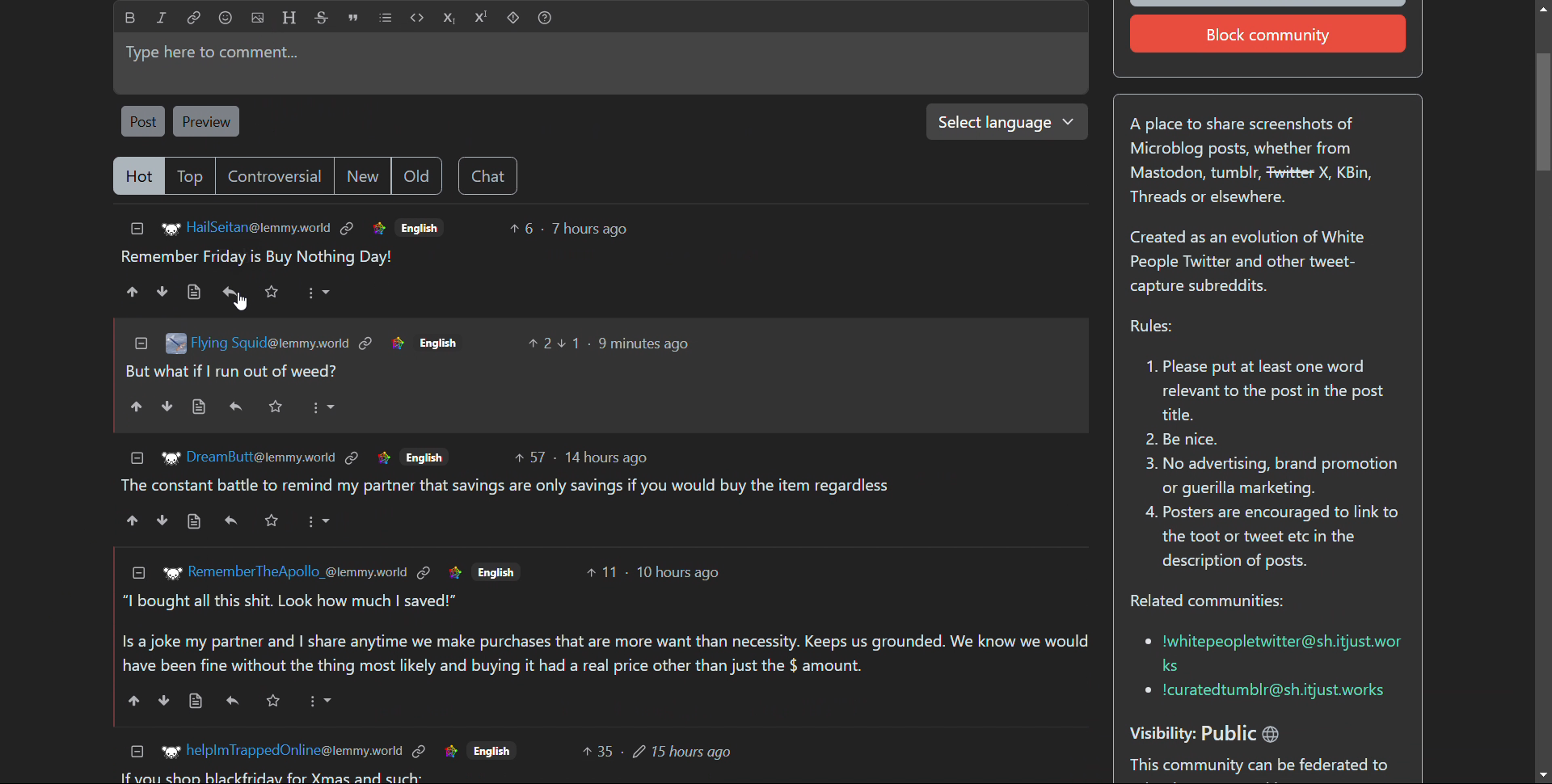 The height and width of the screenshot is (784, 1552). What do you see at coordinates (205, 121) in the screenshot?
I see `preview` at bounding box center [205, 121].